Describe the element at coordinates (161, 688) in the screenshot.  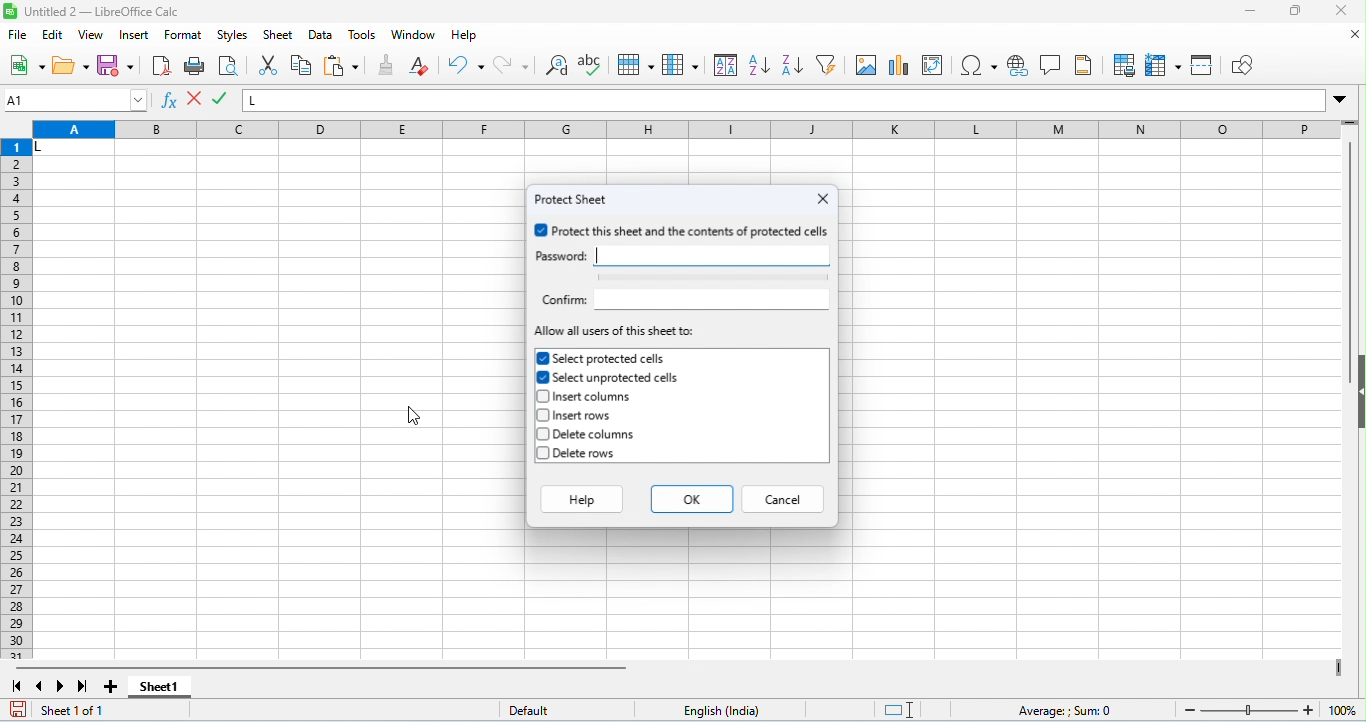
I see `sheet 1` at that location.